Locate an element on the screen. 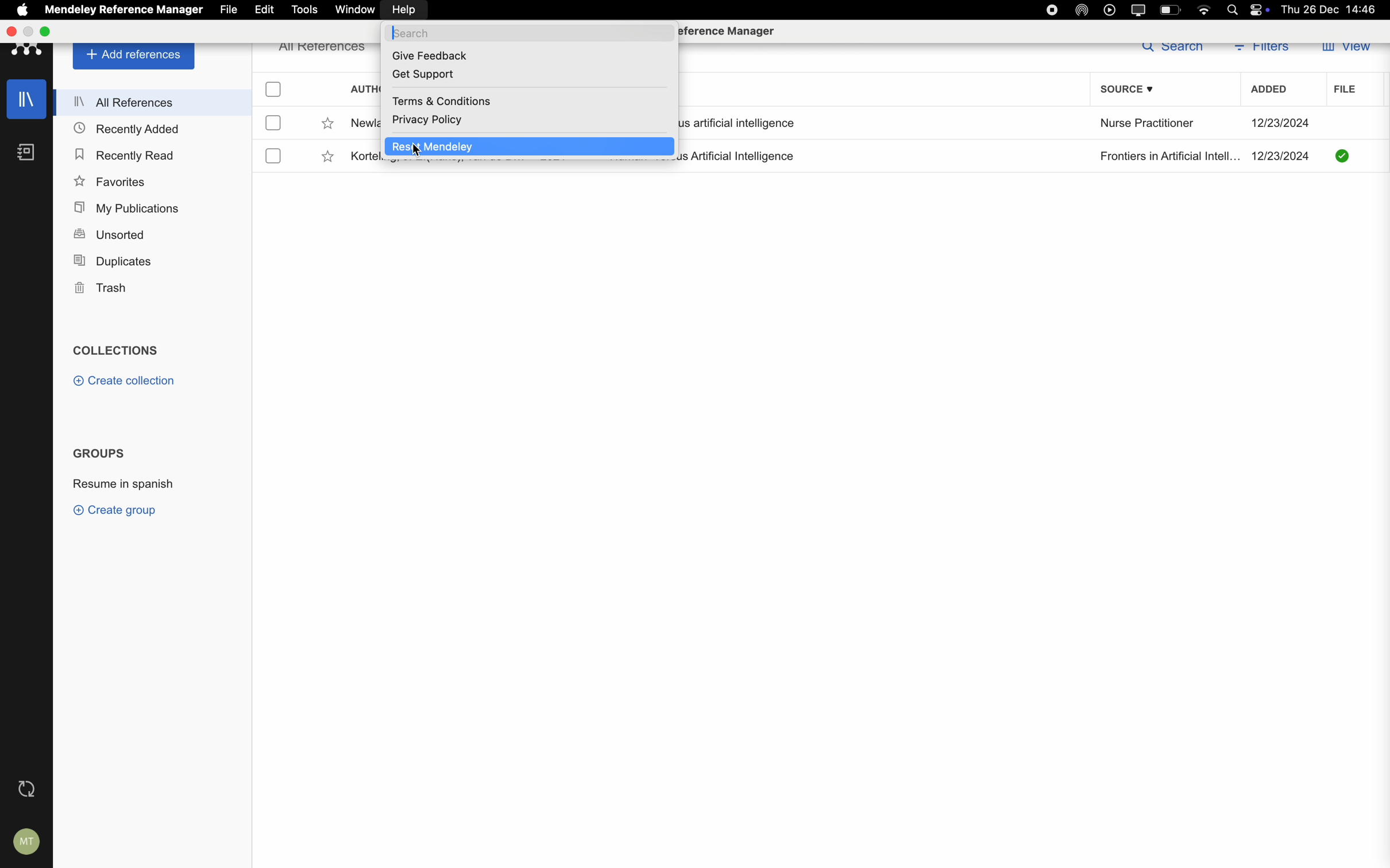 The height and width of the screenshot is (868, 1390). search bar is located at coordinates (491, 33).